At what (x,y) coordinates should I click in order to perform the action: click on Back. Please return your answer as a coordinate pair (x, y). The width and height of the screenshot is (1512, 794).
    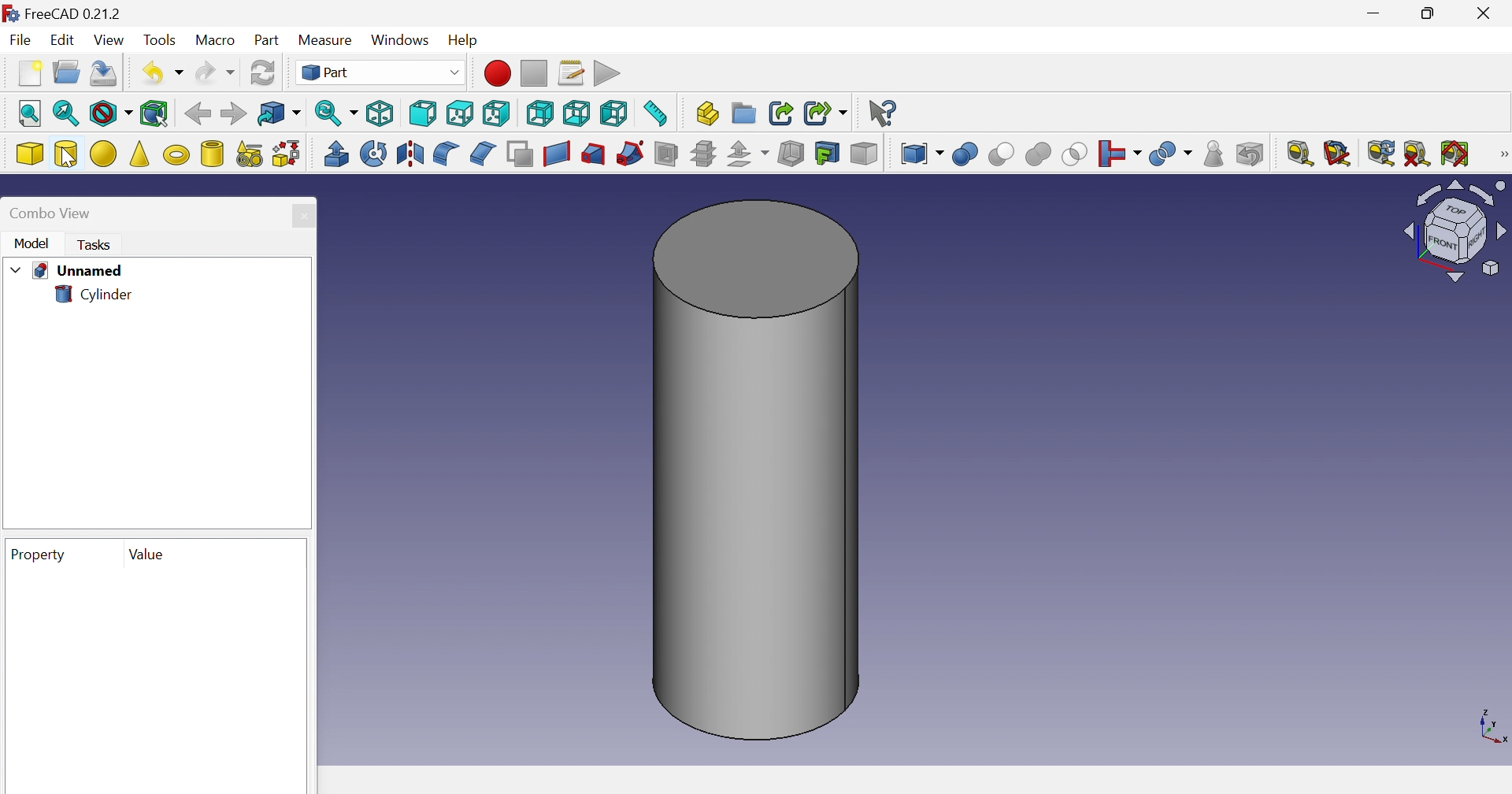
    Looking at the image, I should click on (198, 117).